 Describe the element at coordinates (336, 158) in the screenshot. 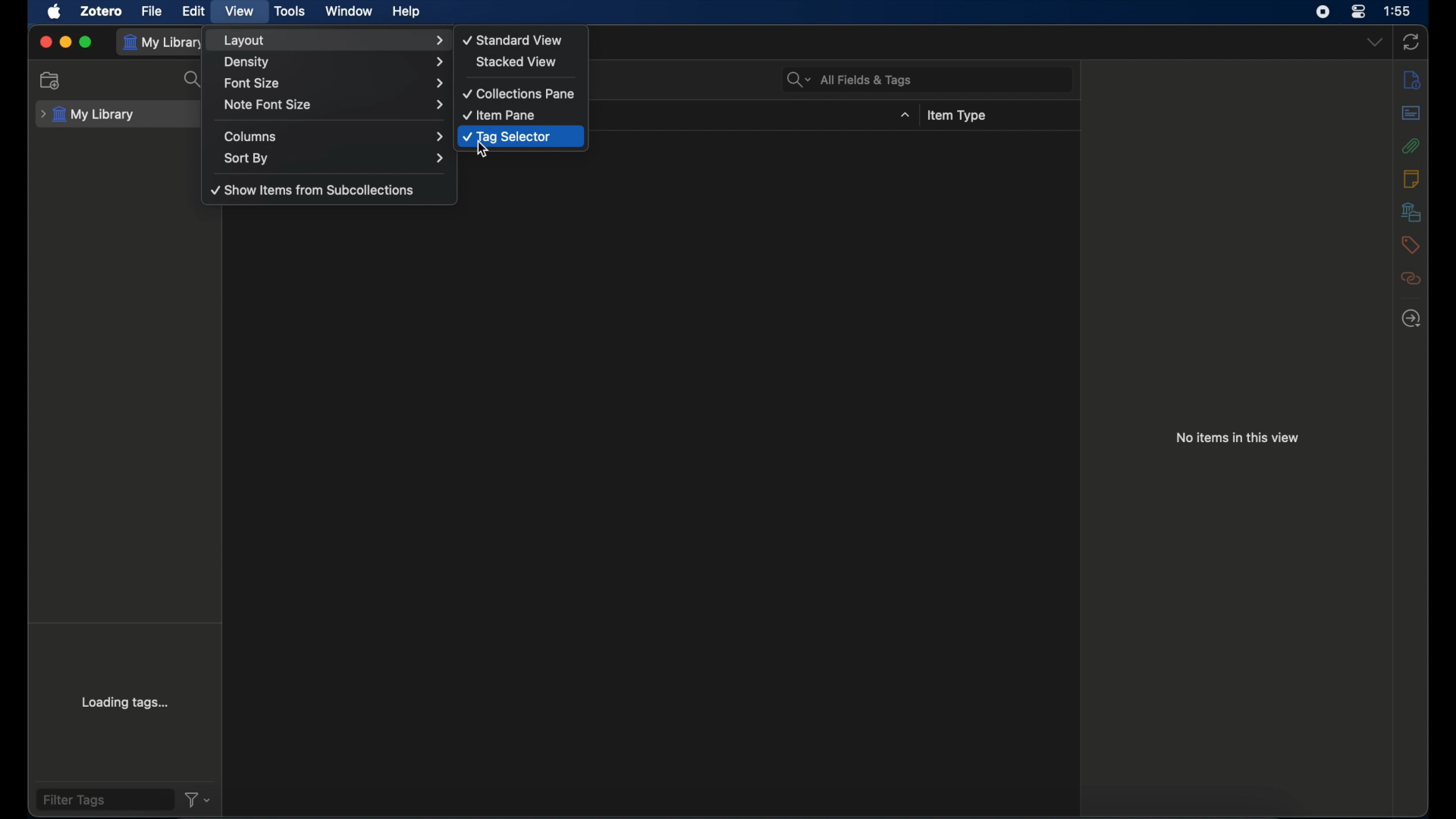

I see `sort by` at that location.